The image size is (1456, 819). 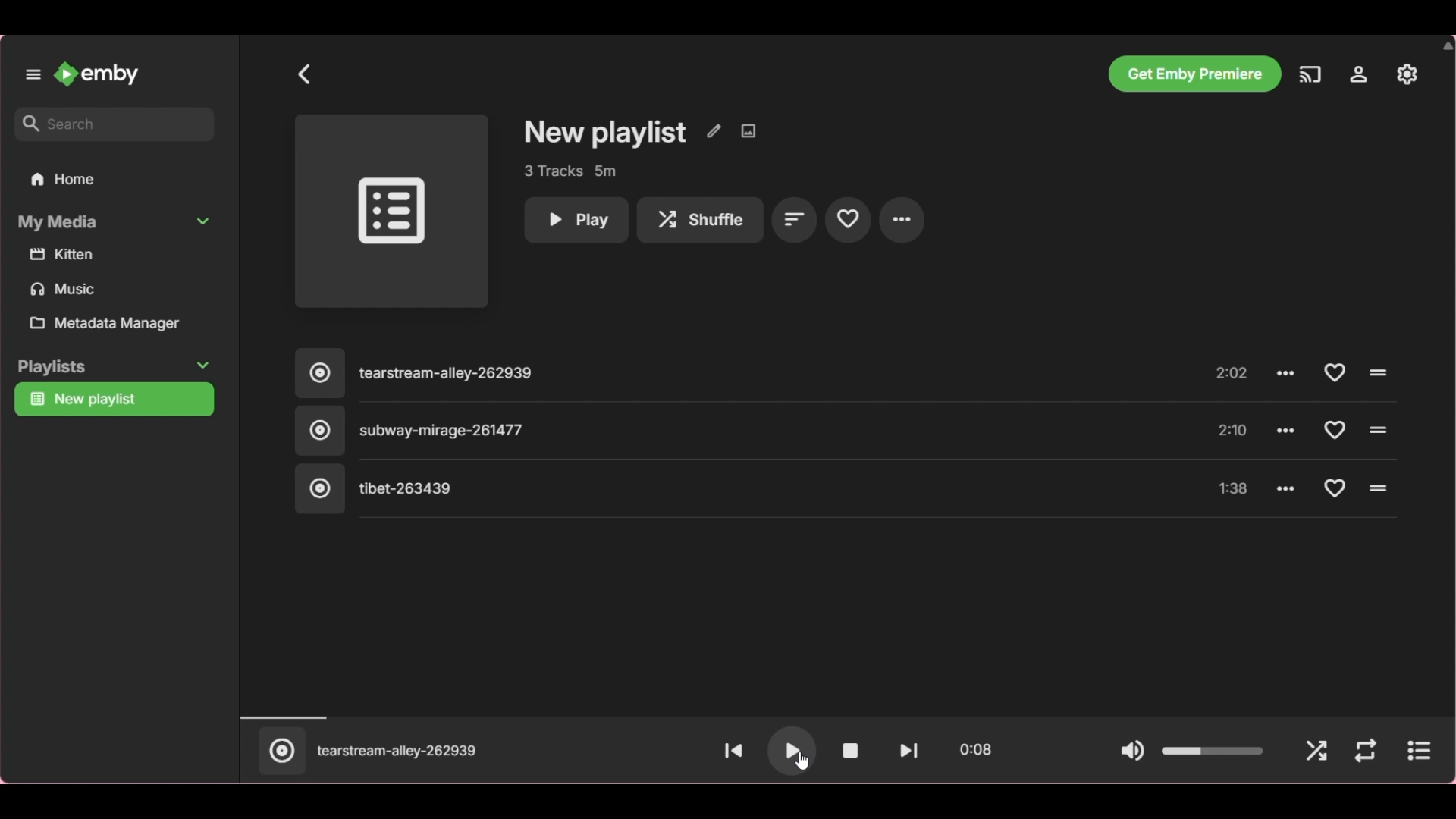 What do you see at coordinates (848, 218) in the screenshot?
I see `Add to favourite ` at bounding box center [848, 218].